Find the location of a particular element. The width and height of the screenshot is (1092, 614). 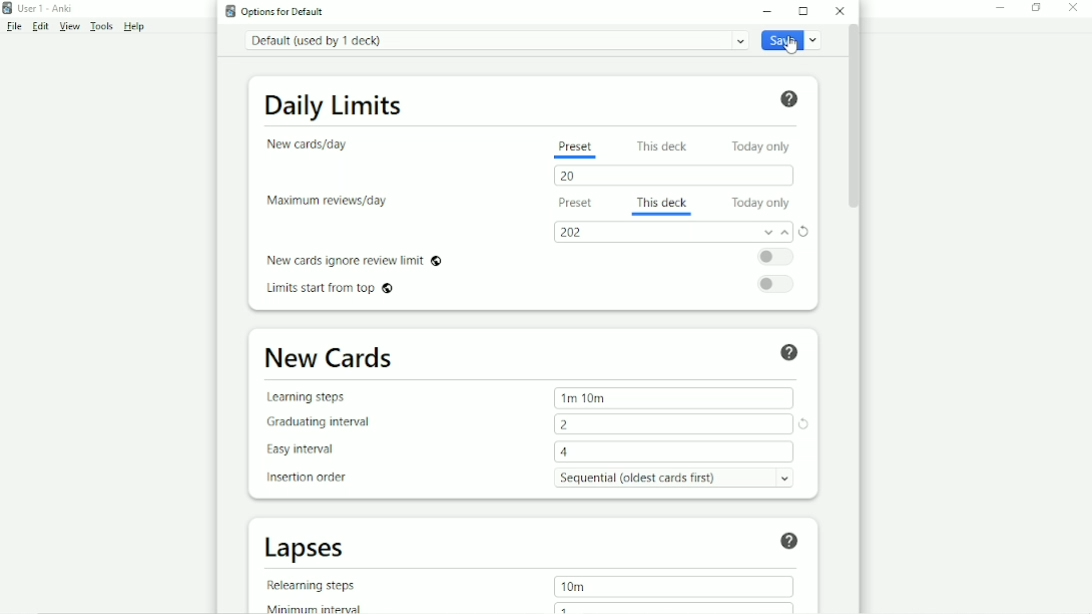

Help is located at coordinates (136, 27).